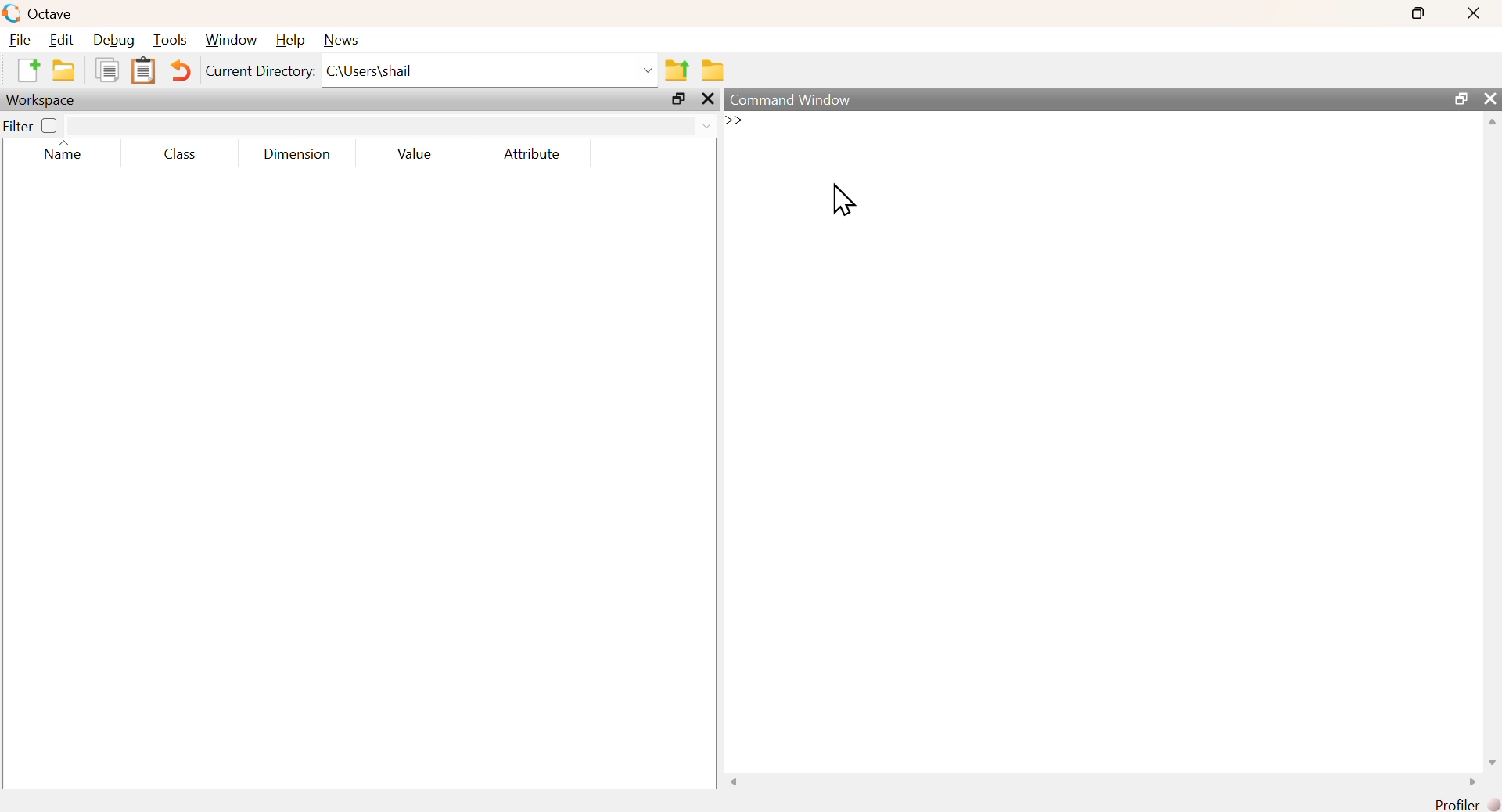 This screenshot has width=1502, height=812. What do you see at coordinates (63, 41) in the screenshot?
I see `edit` at bounding box center [63, 41].